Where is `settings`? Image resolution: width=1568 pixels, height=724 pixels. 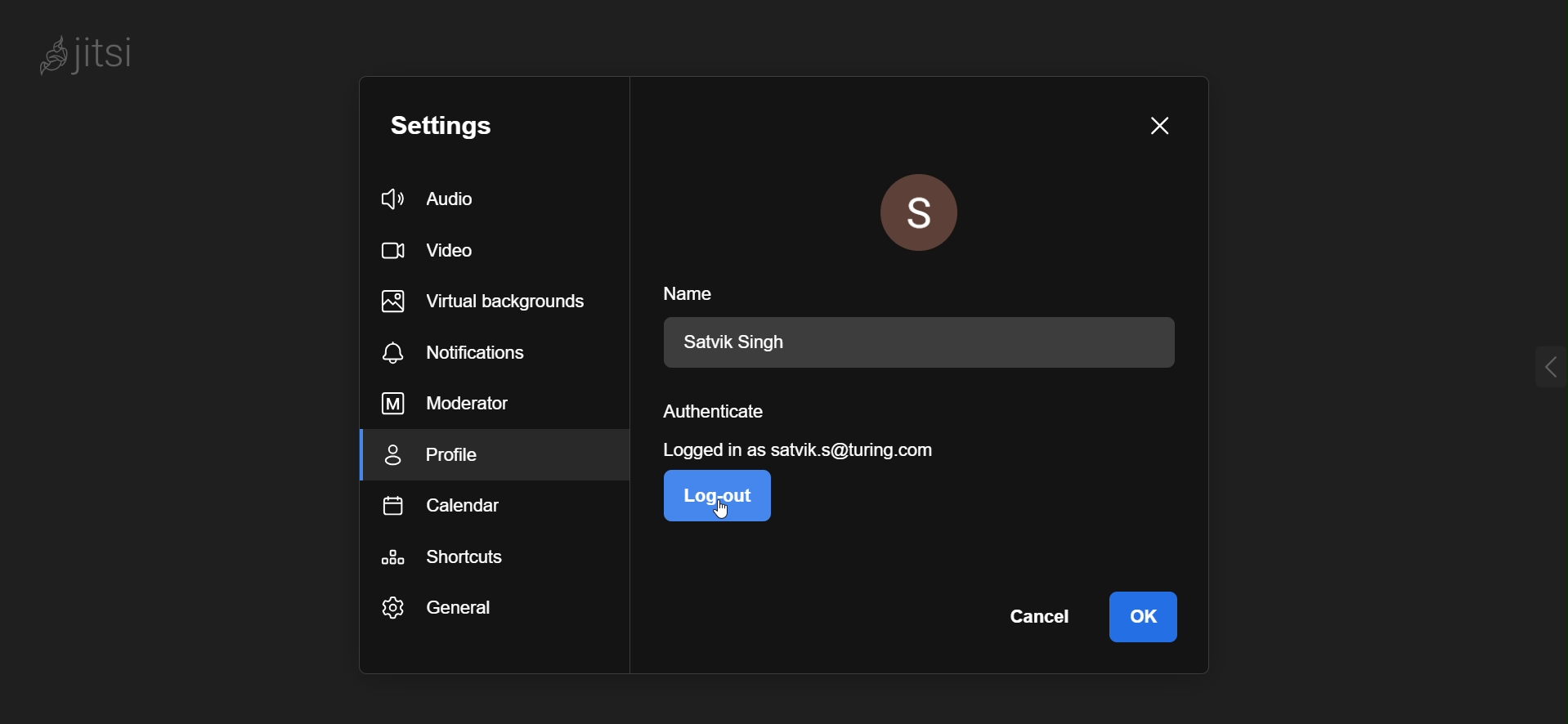 settings is located at coordinates (448, 126).